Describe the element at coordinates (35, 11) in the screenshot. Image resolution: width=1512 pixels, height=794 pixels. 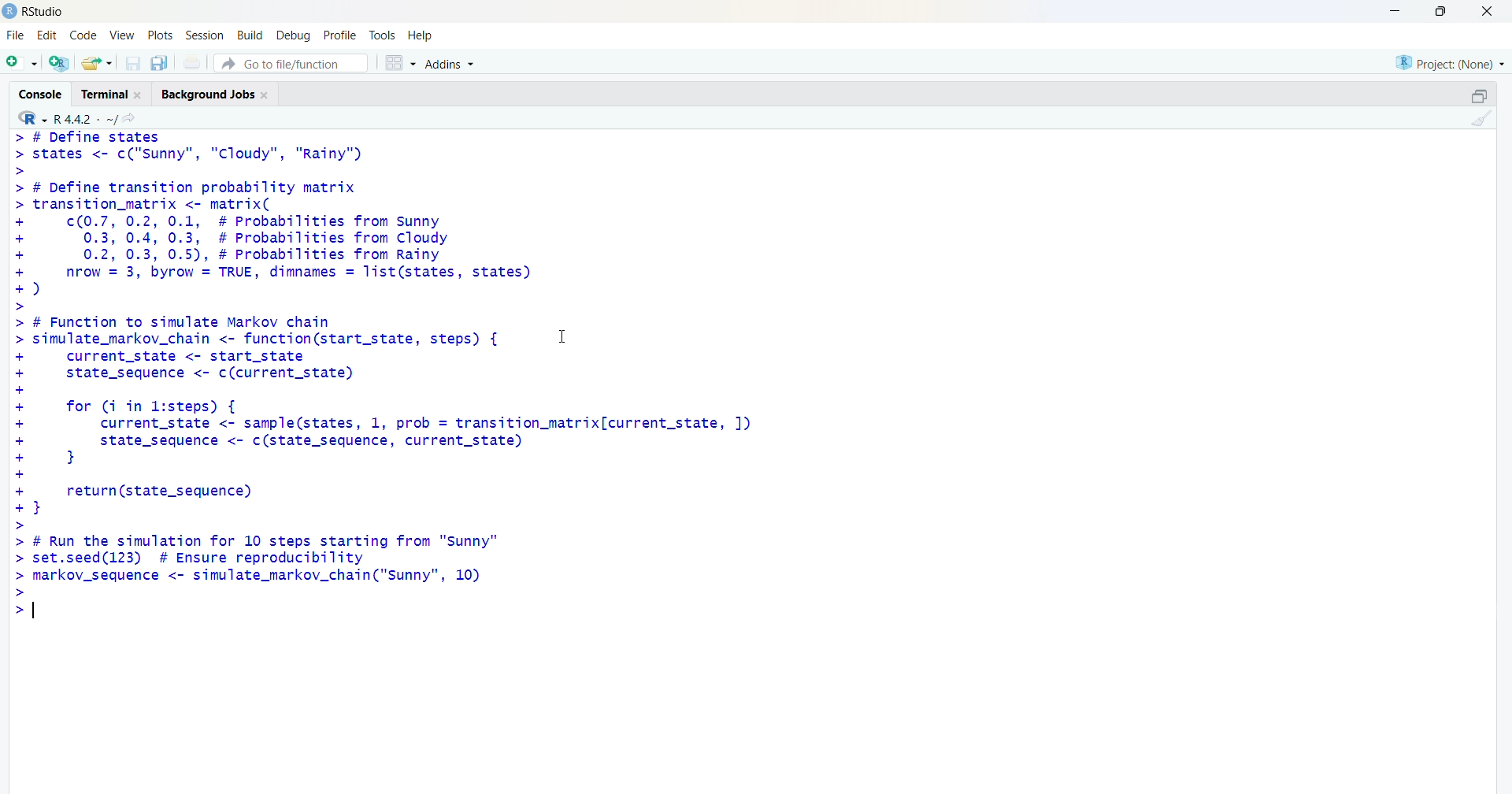
I see `rstudio` at that location.